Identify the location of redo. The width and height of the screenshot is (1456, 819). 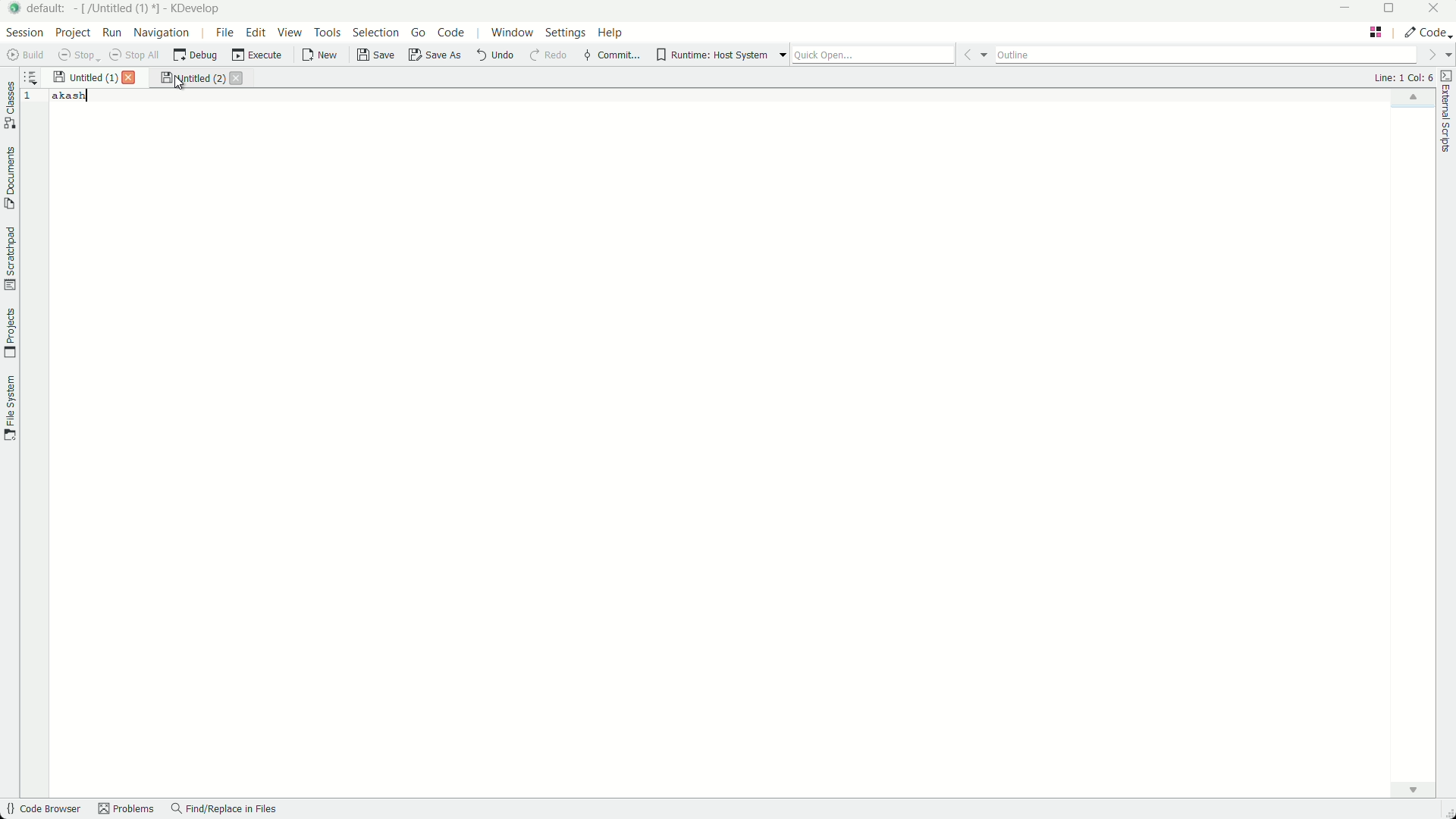
(548, 58).